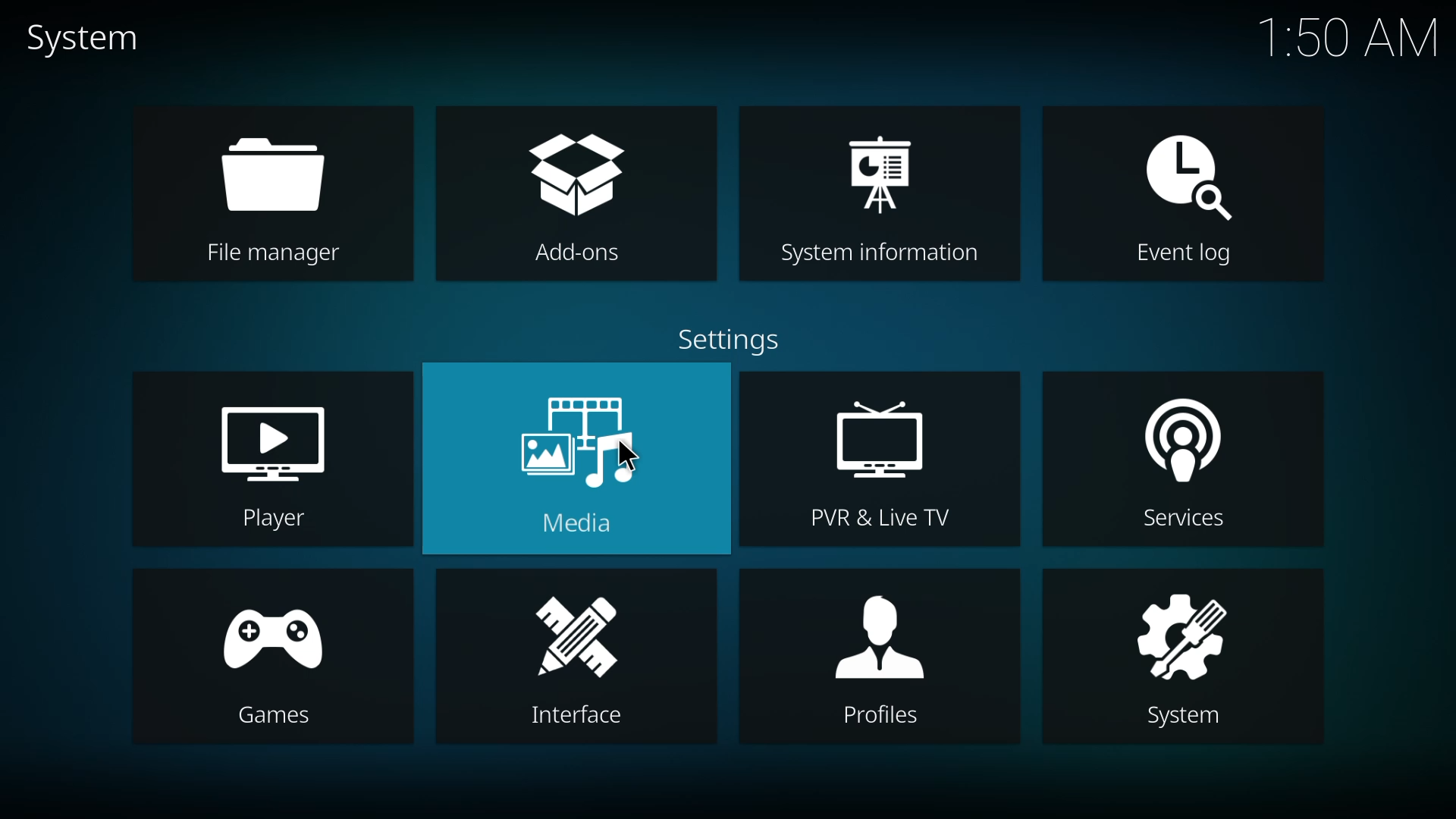 The width and height of the screenshot is (1456, 819). What do you see at coordinates (268, 196) in the screenshot?
I see `file manager` at bounding box center [268, 196].